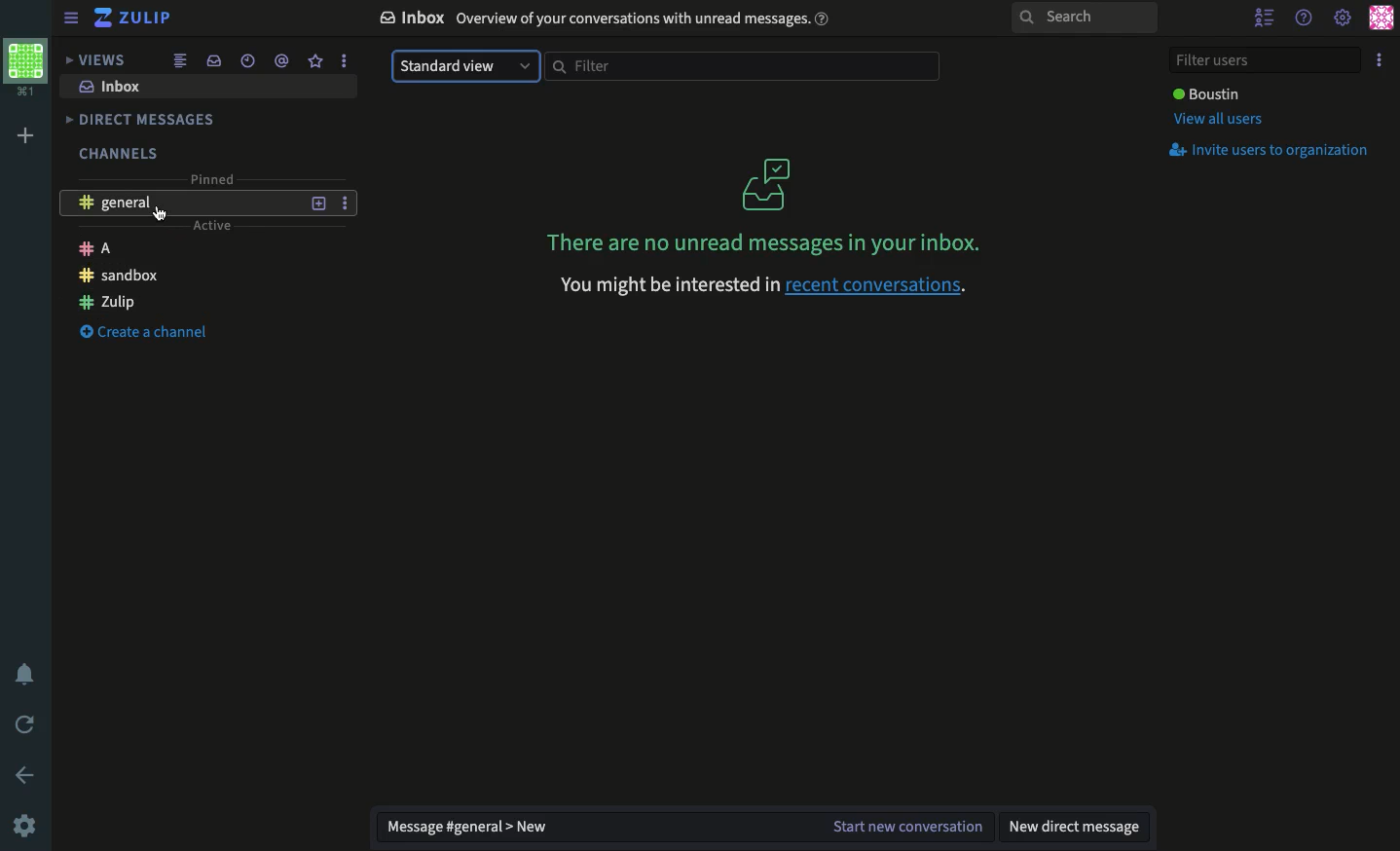 The width and height of the screenshot is (1400, 851). I want to click on Refresh, so click(27, 724).